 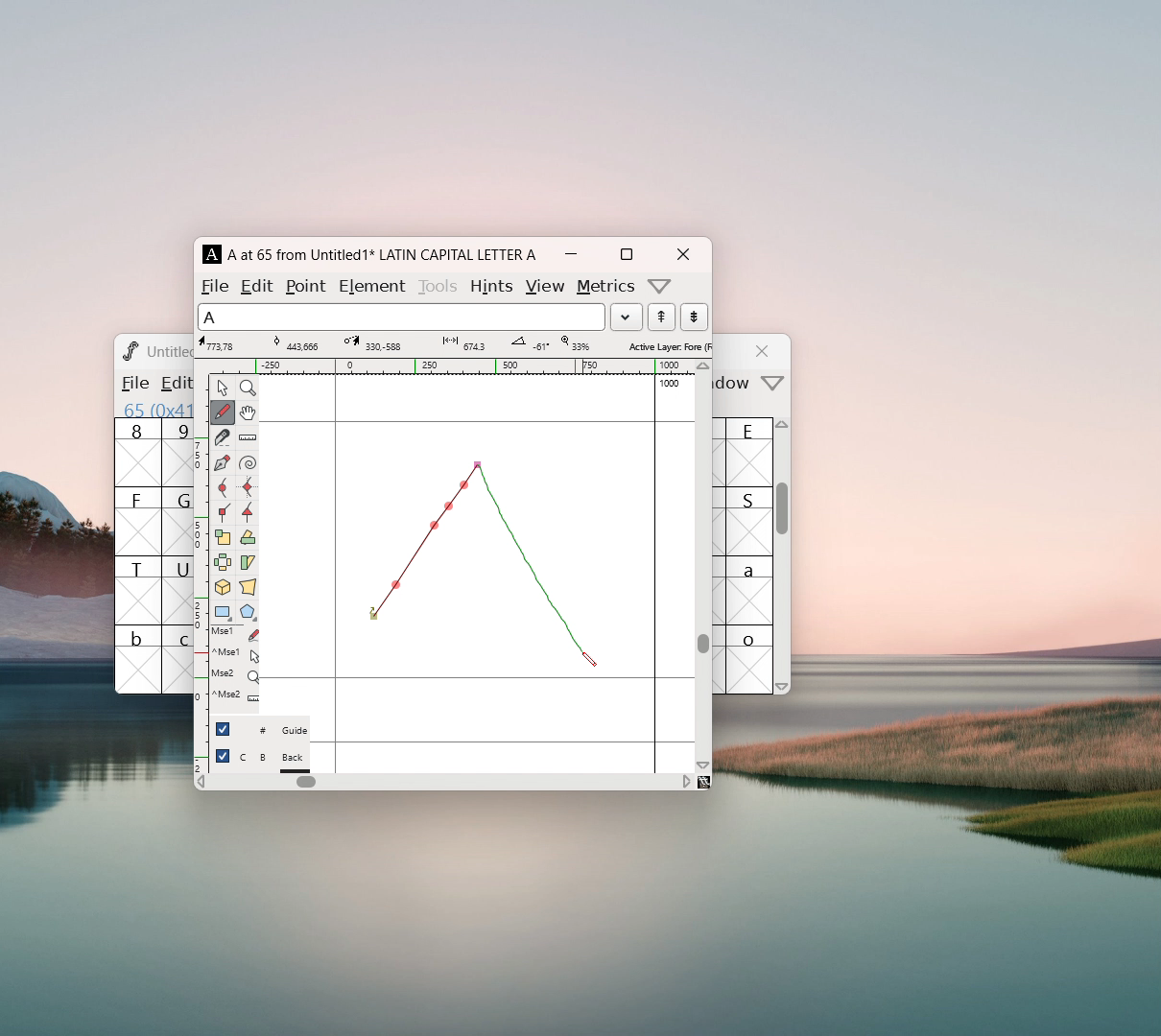 I want to click on angle, so click(x=527, y=343).